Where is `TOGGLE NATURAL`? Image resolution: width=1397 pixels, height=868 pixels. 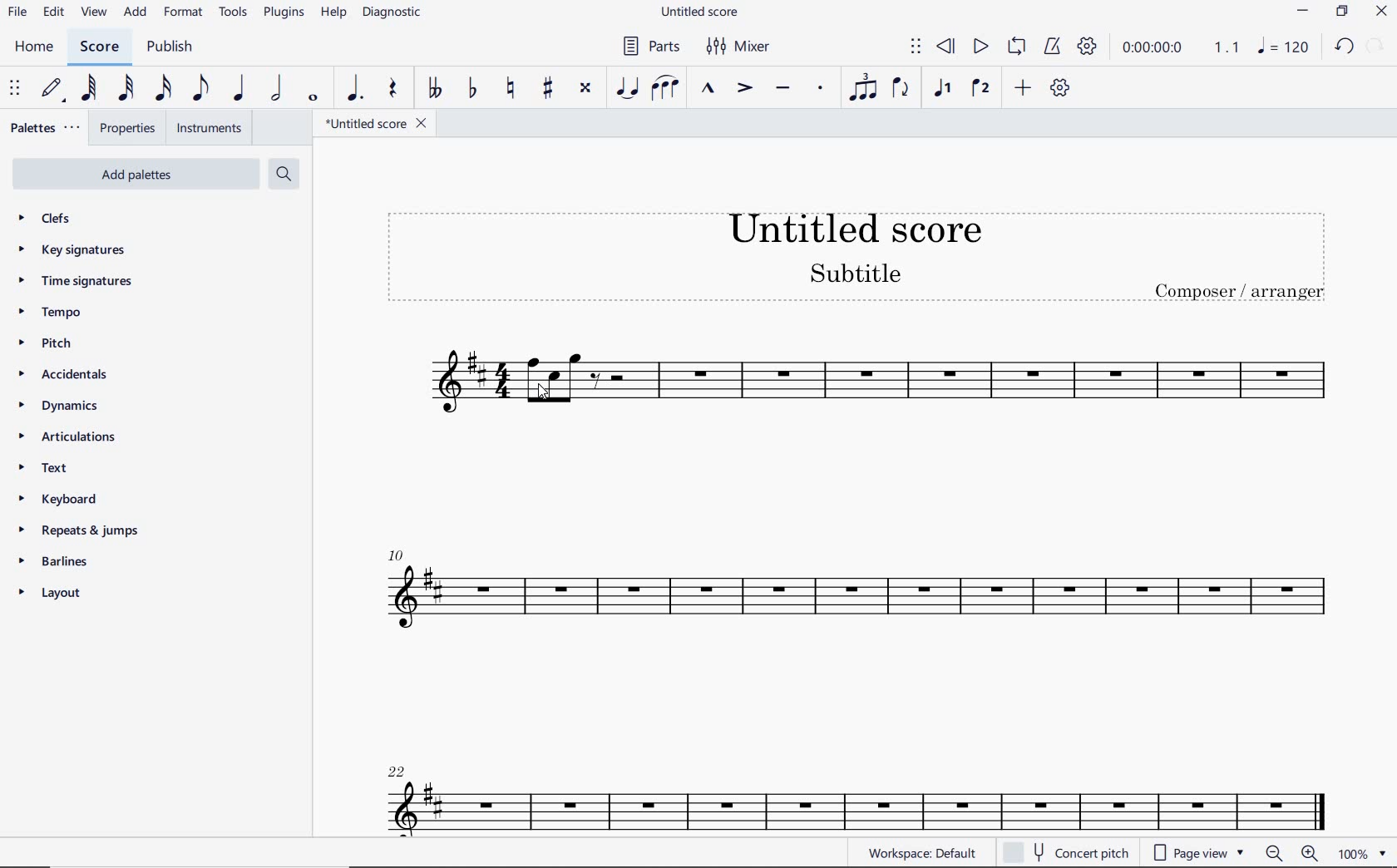 TOGGLE NATURAL is located at coordinates (514, 90).